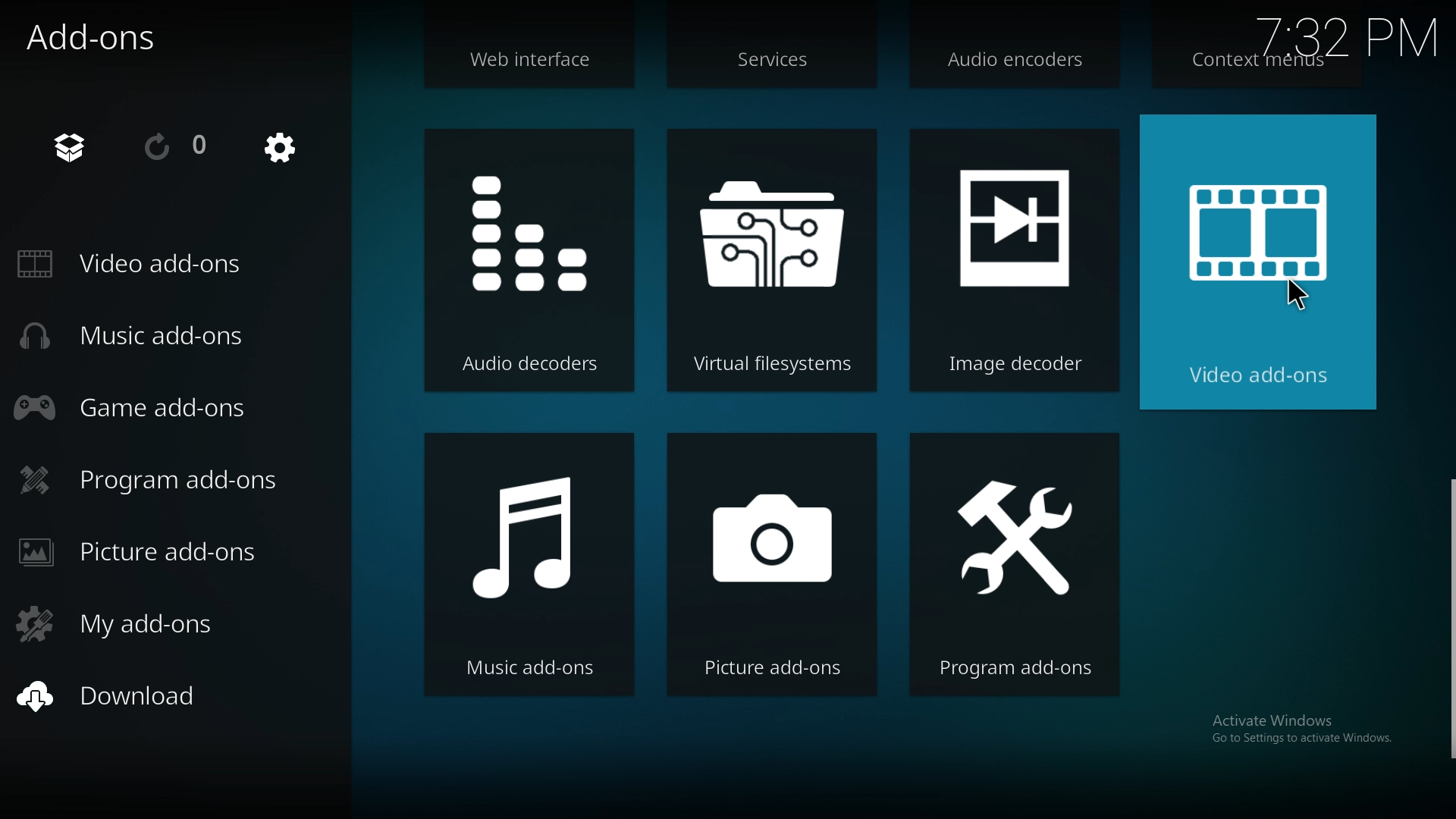  I want to click on audio encoders, so click(1015, 65).